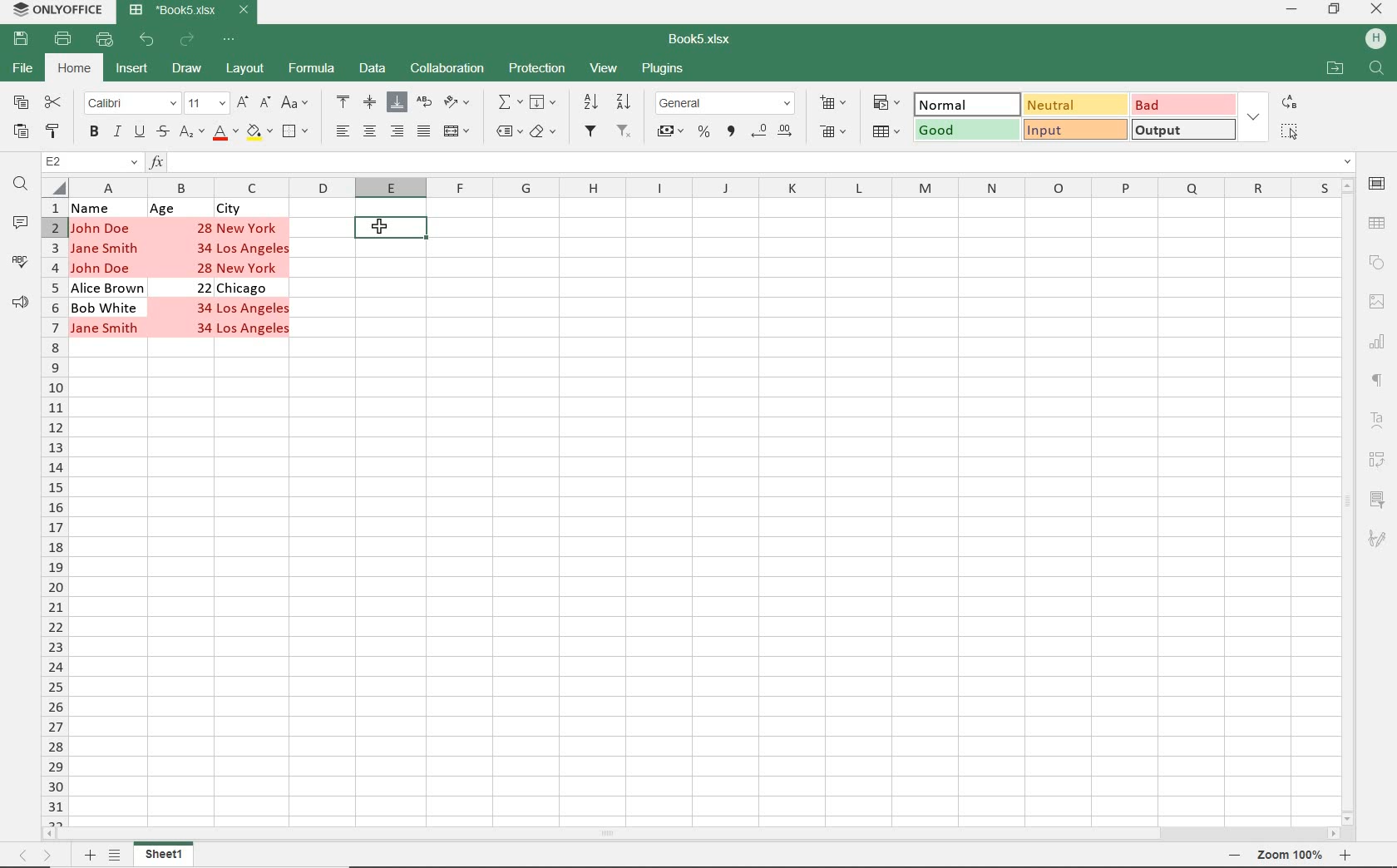  Describe the element at coordinates (93, 208) in the screenshot. I see `Name` at that location.